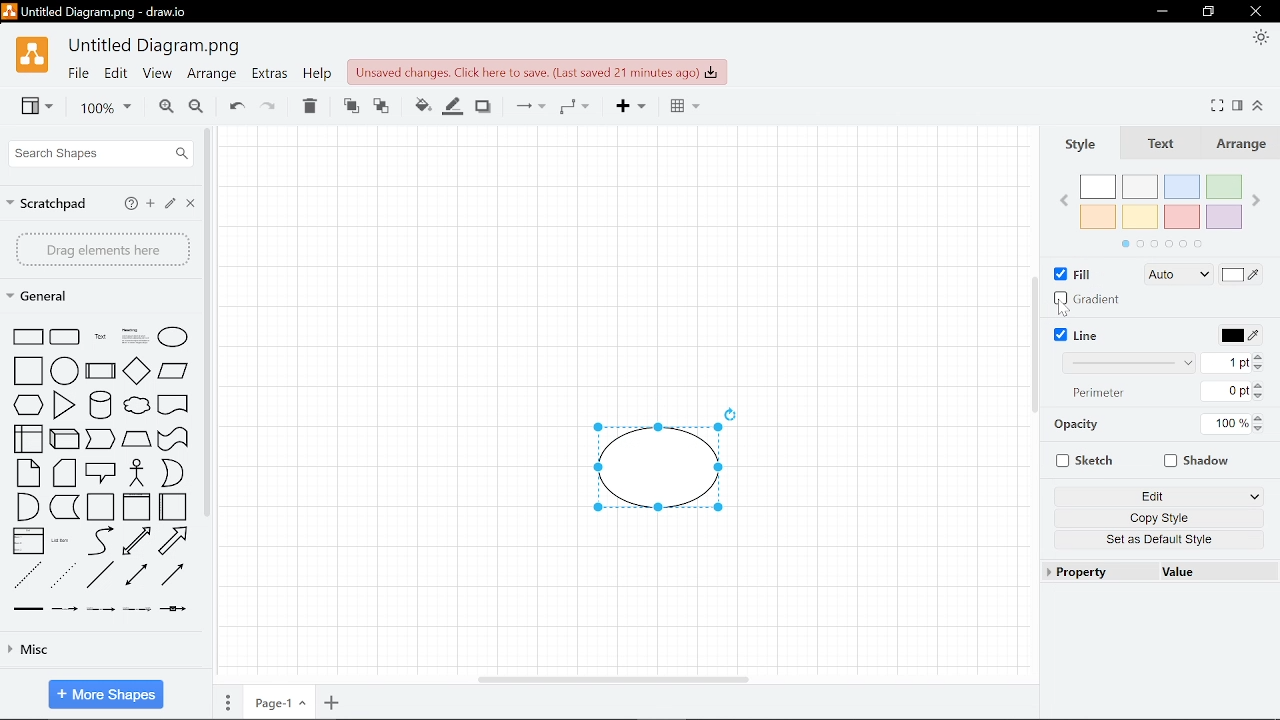  What do you see at coordinates (32, 56) in the screenshot?
I see `Draw.io logo` at bounding box center [32, 56].